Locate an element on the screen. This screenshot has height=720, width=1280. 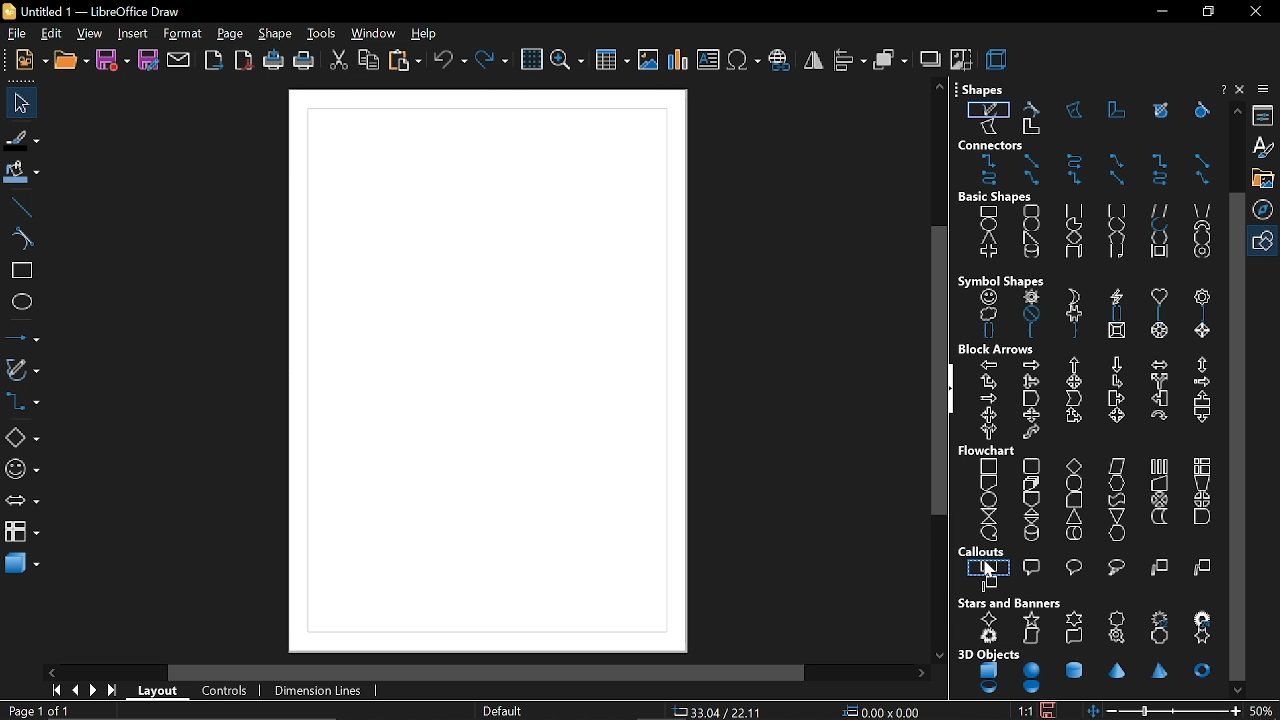
help is located at coordinates (429, 35).